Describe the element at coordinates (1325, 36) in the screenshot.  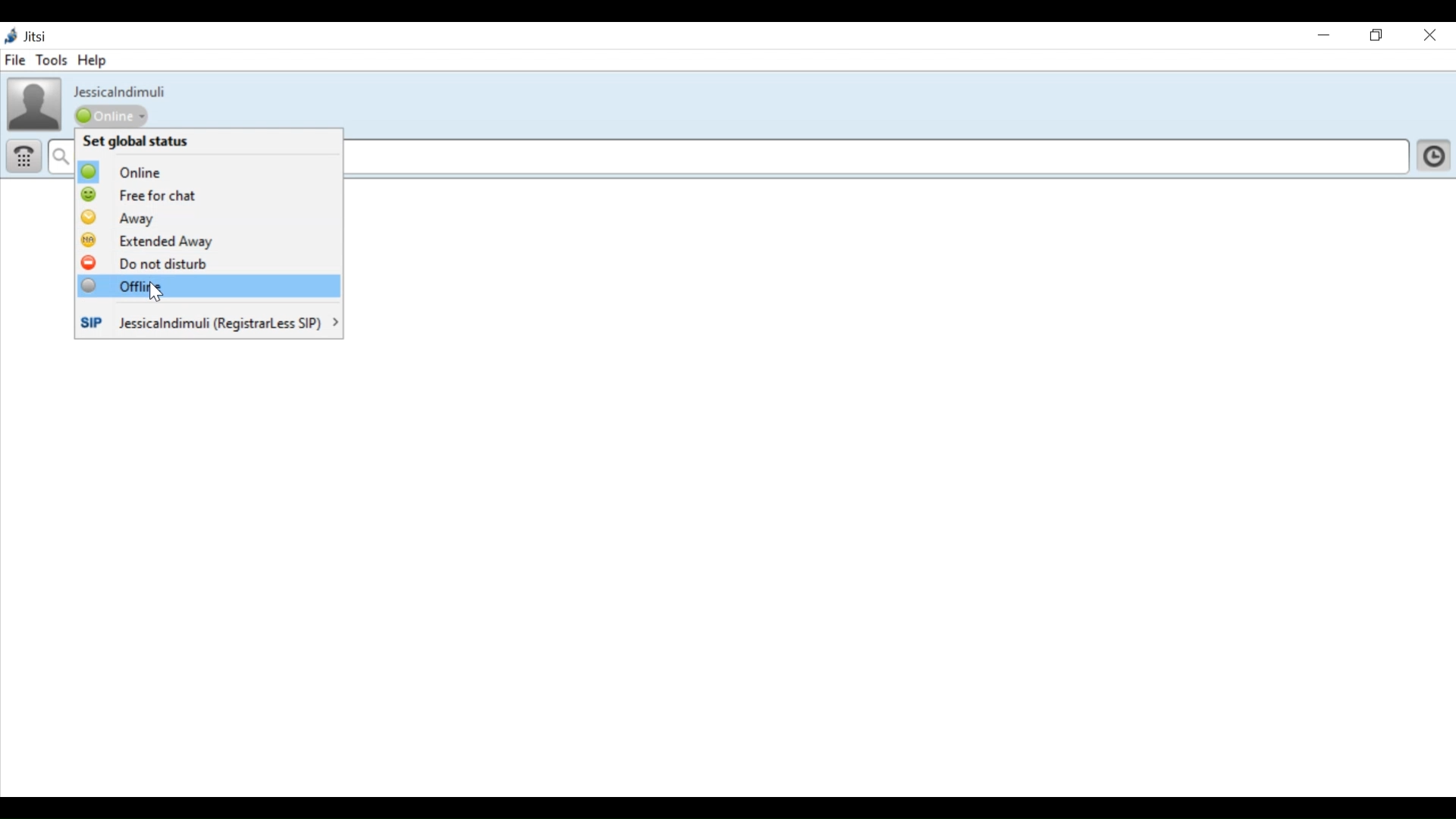
I see `Minimize` at that location.